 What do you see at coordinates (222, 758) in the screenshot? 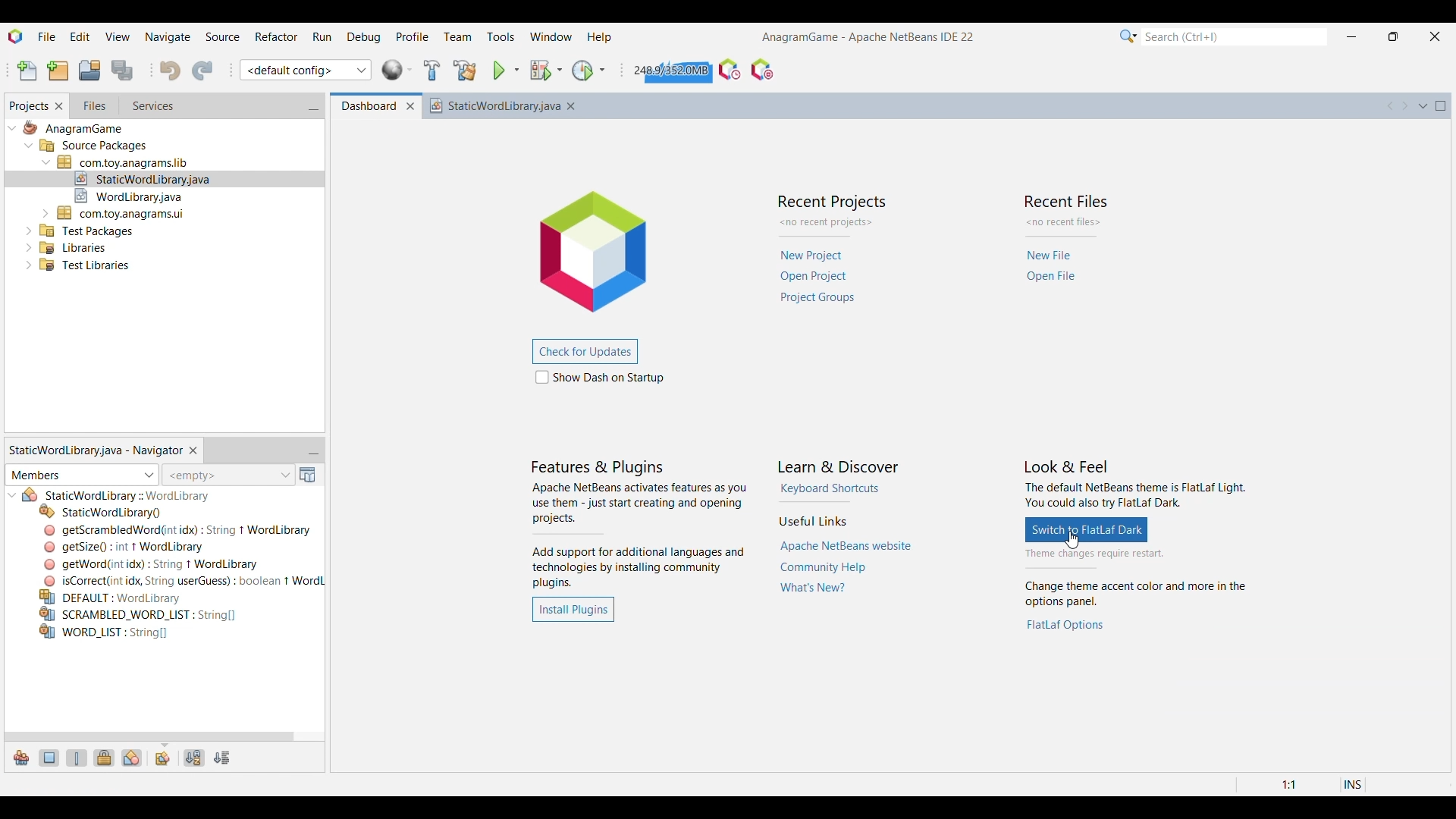
I see `Sort by source` at bounding box center [222, 758].